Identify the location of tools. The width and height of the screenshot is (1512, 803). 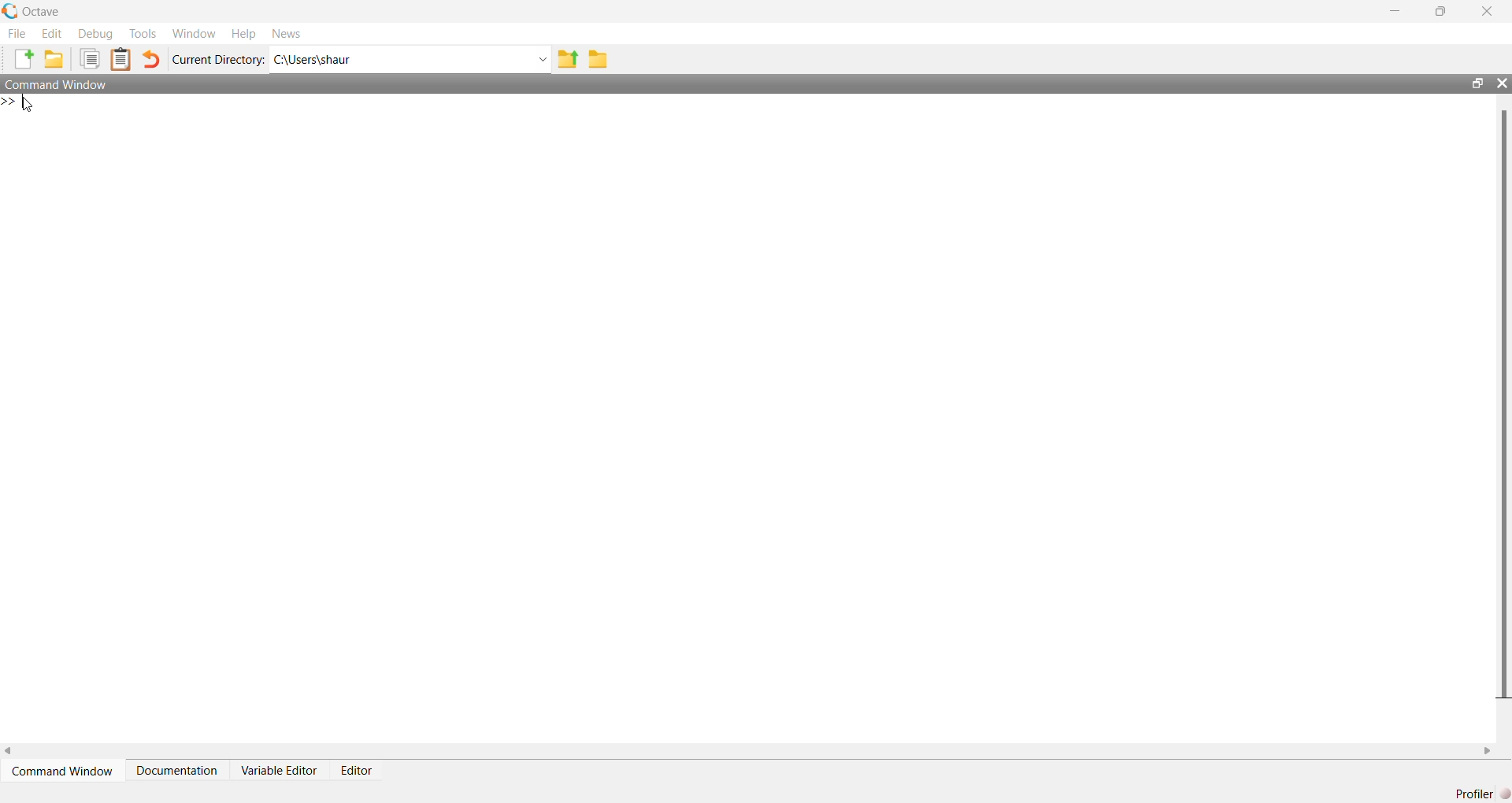
(146, 34).